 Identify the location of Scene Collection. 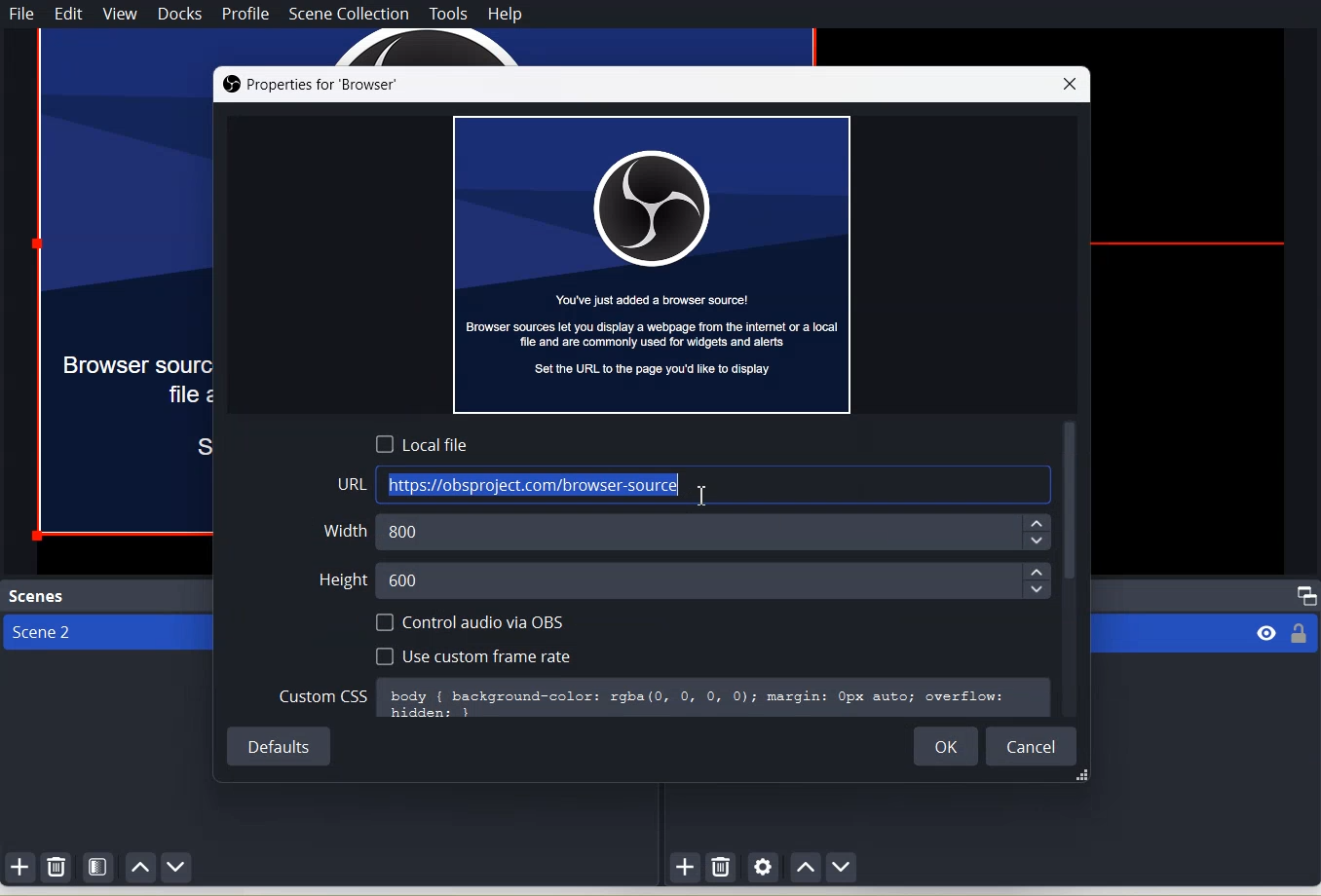
(348, 14).